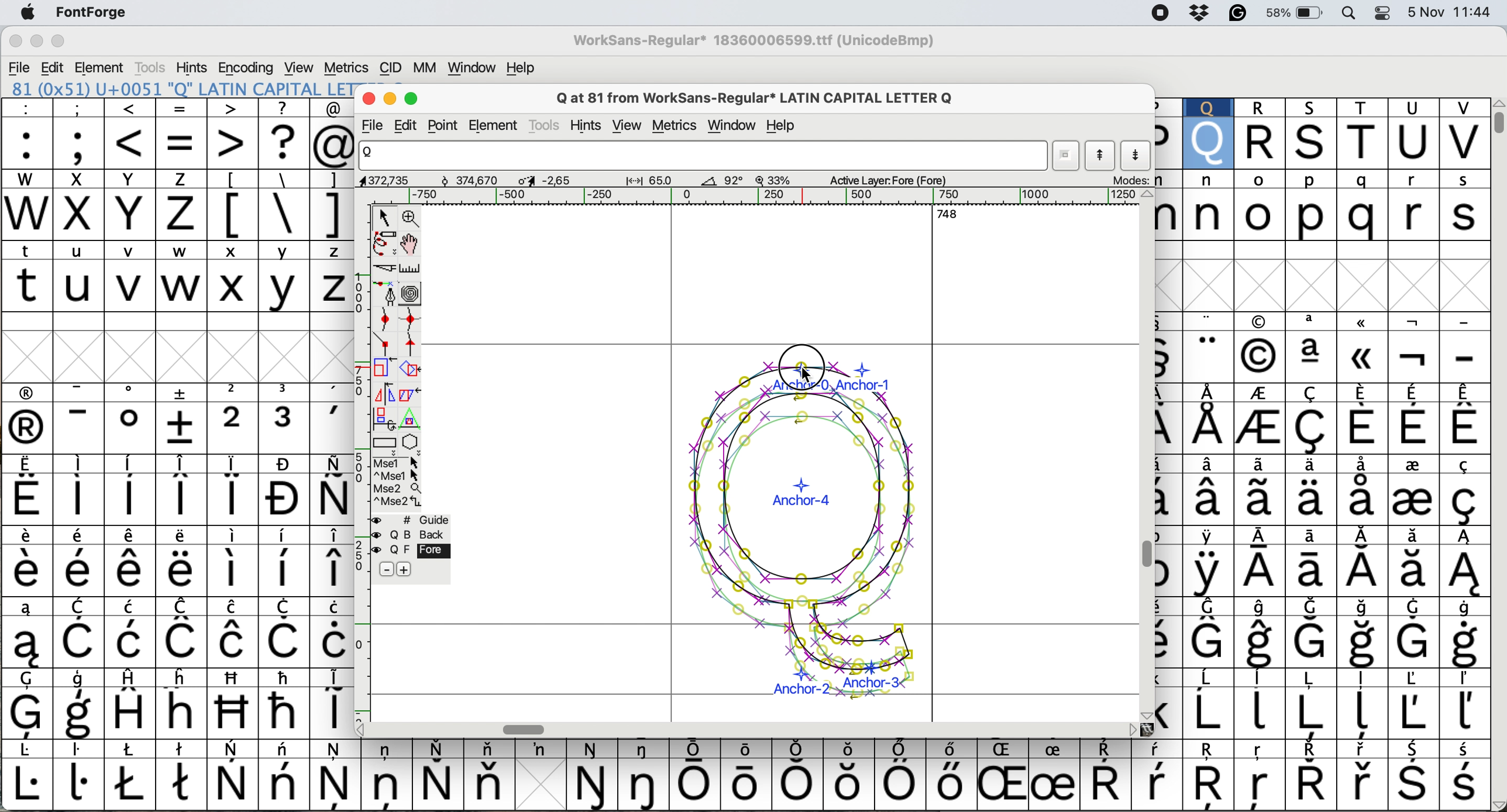 The width and height of the screenshot is (1507, 812). Describe the element at coordinates (759, 98) in the screenshot. I see `Q at 81 from WorkSans-Regular* LATIN CAPITAL LETTER Q` at that location.